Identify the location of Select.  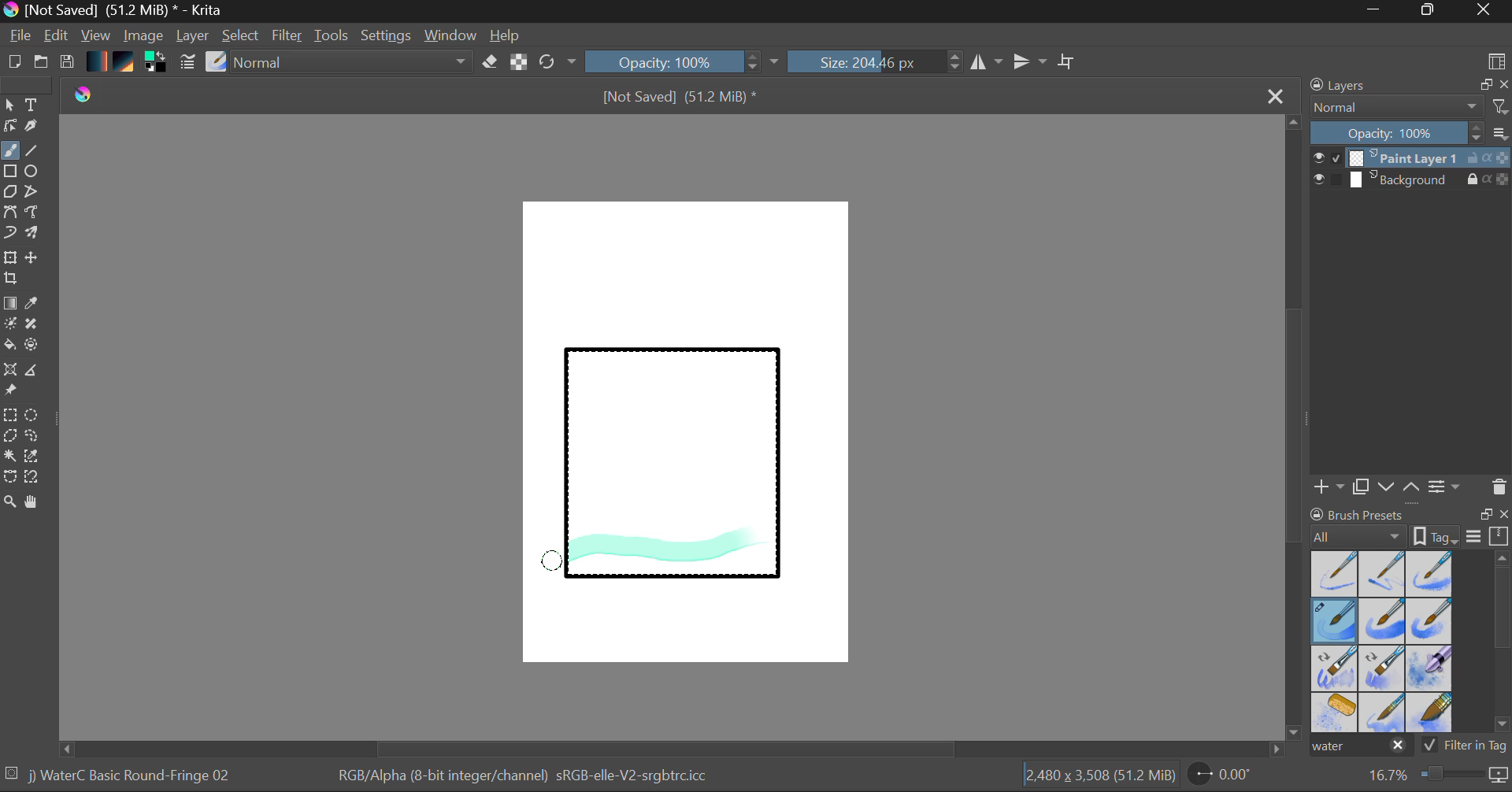
(9, 105).